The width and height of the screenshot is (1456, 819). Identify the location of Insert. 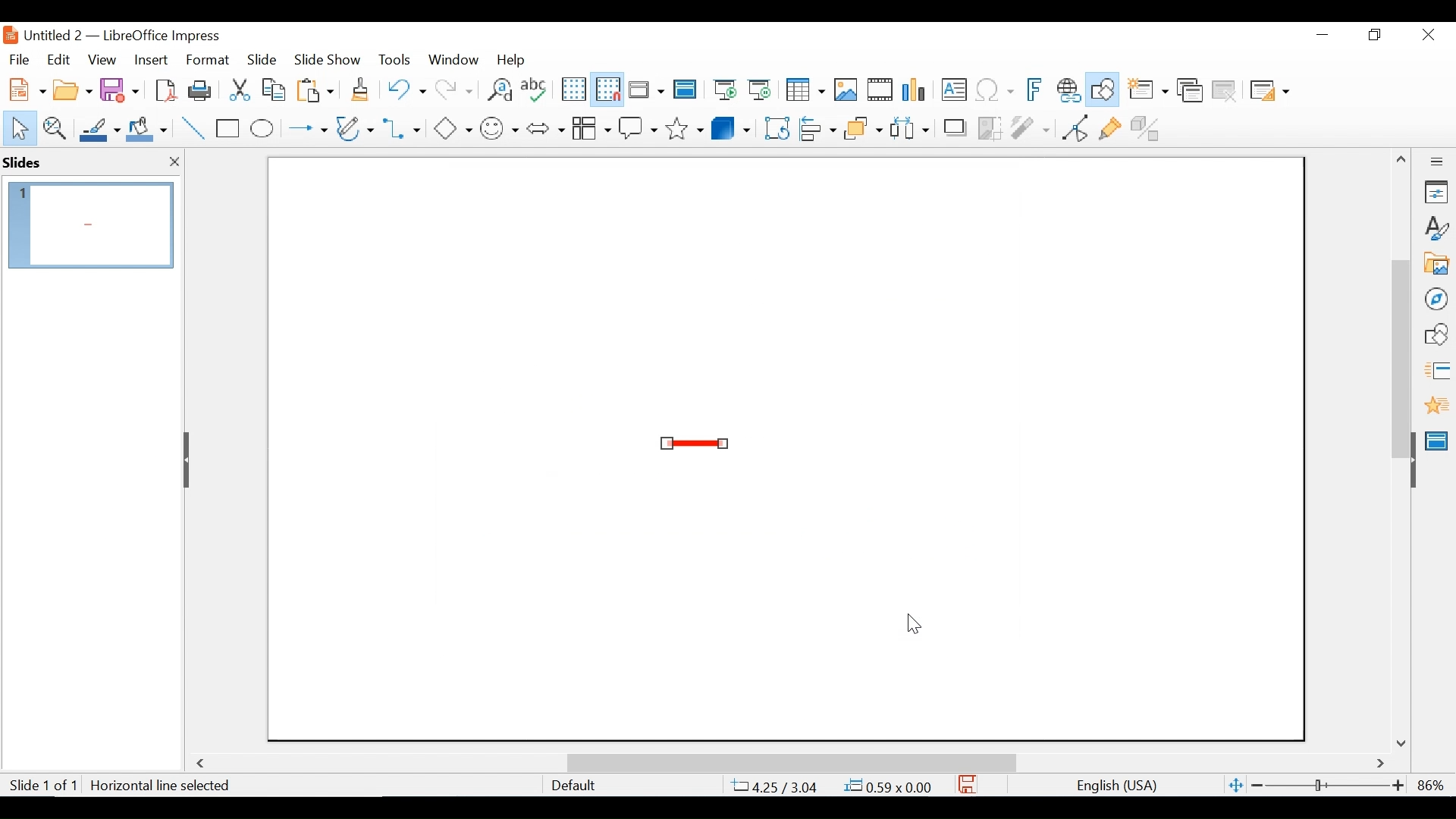
(149, 60).